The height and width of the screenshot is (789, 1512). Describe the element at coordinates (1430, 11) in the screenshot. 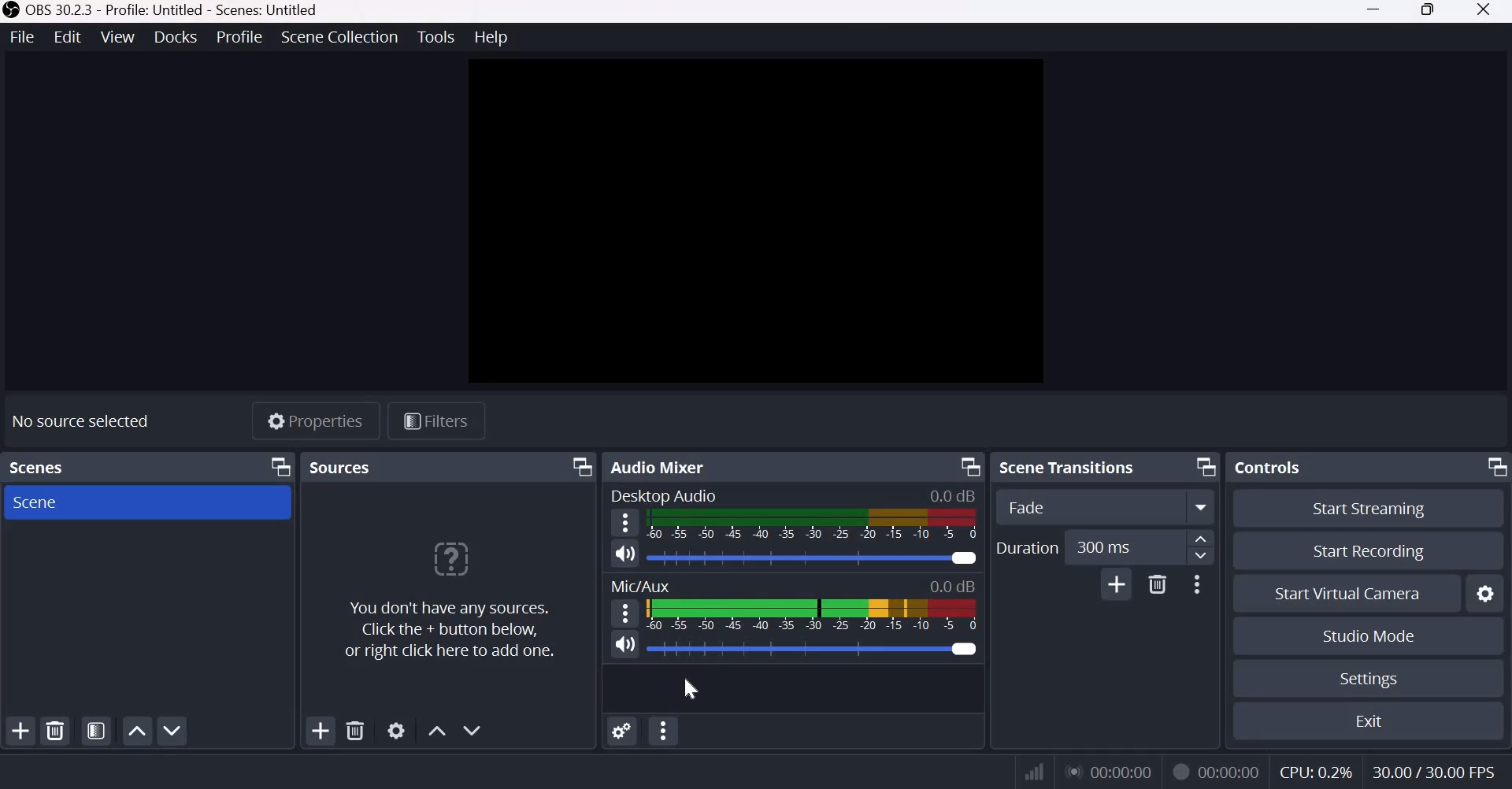

I see `Maximize` at that location.